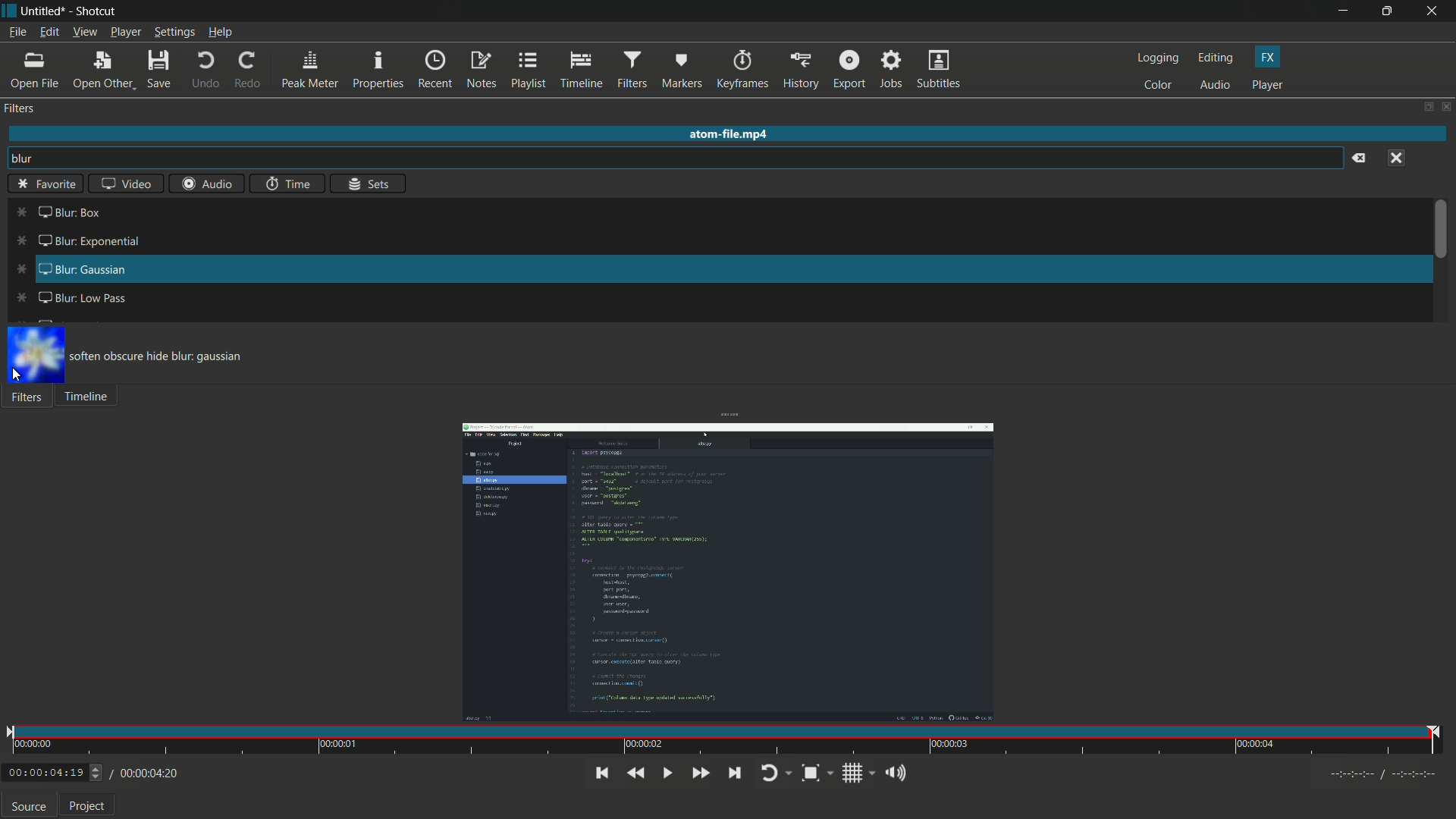 This screenshot has width=1456, height=819. Describe the element at coordinates (124, 183) in the screenshot. I see `video` at that location.